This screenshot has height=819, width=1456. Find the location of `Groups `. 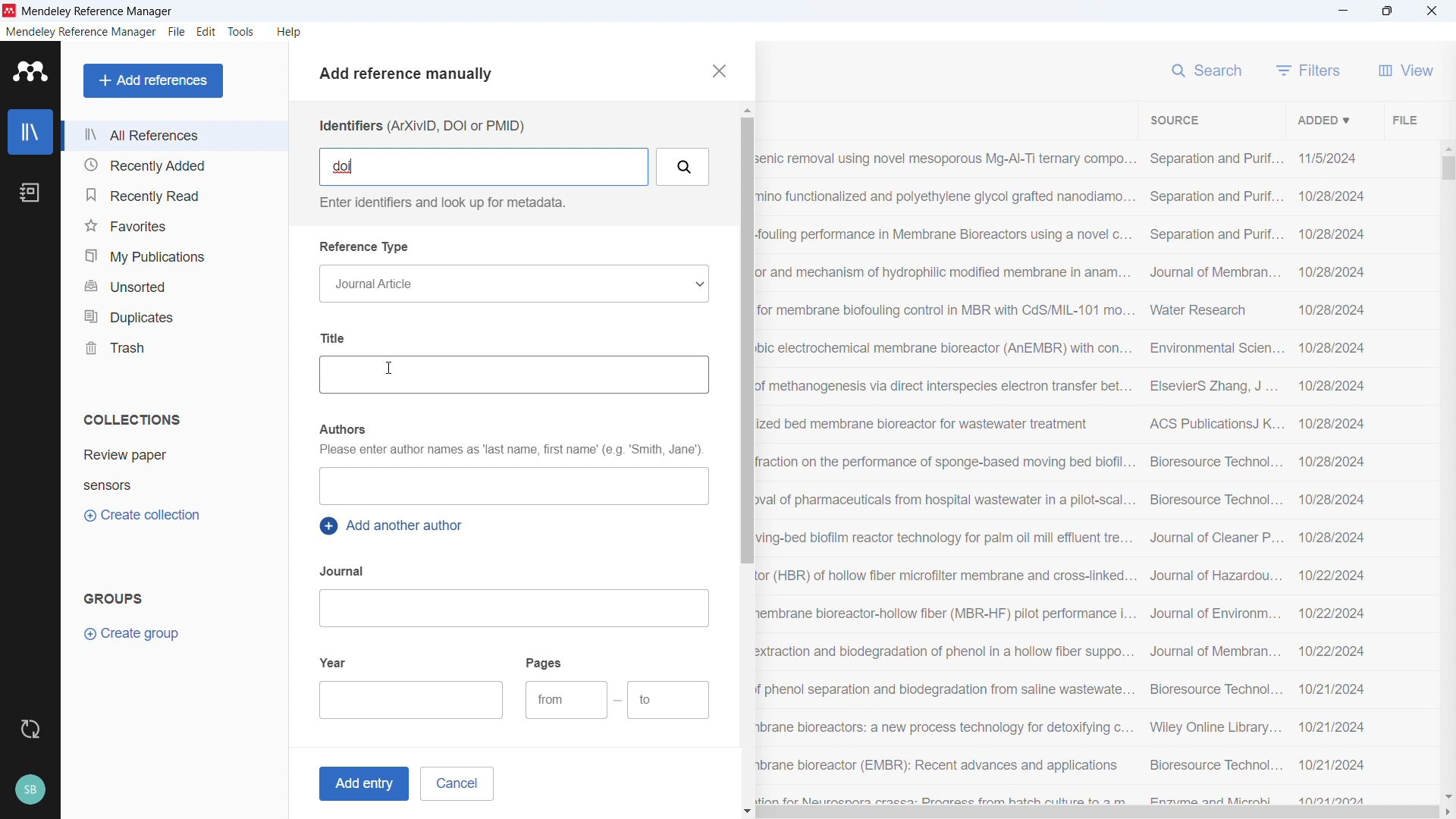

Groups  is located at coordinates (114, 598).